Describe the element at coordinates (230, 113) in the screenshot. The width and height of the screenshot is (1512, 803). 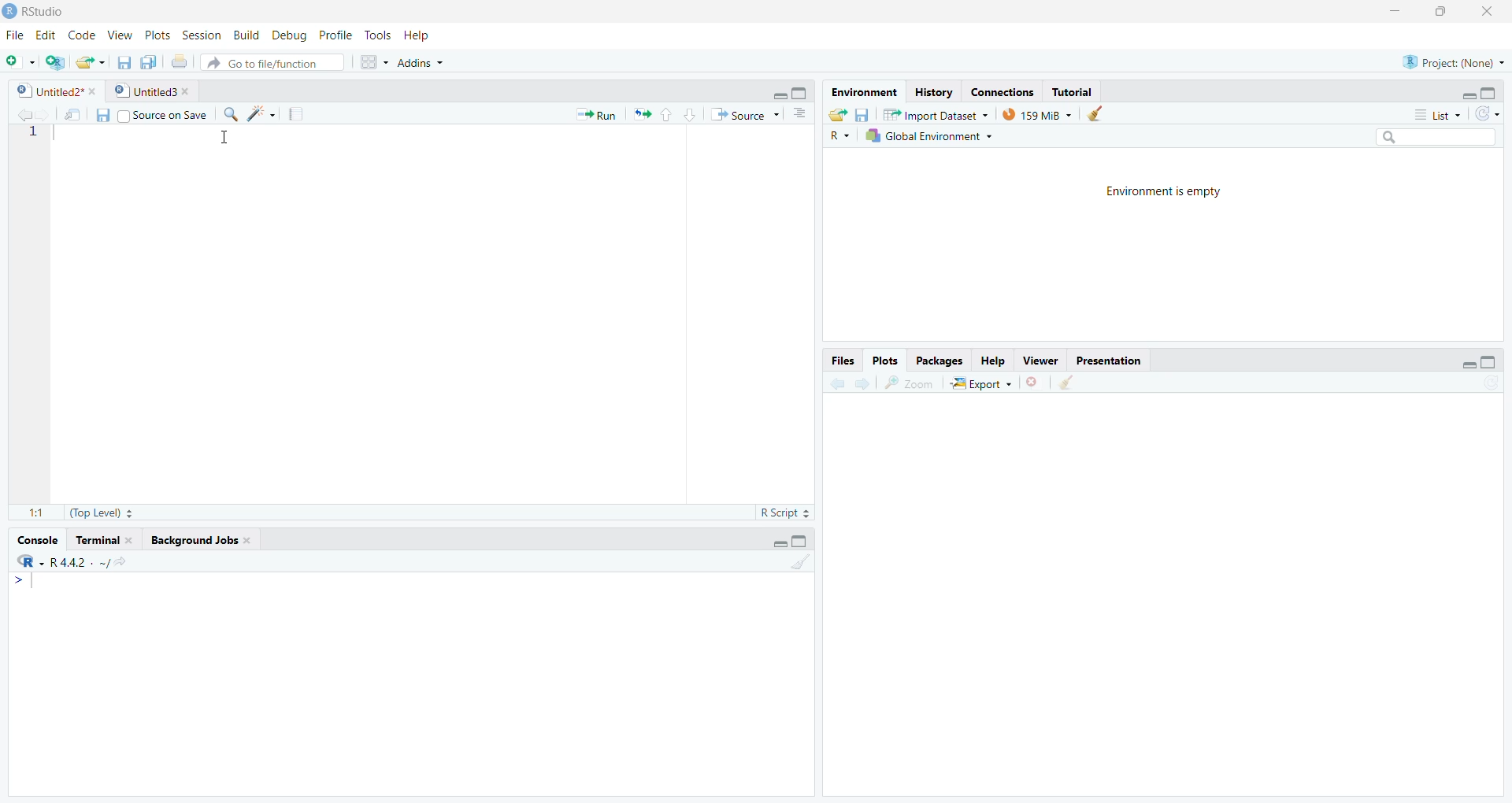
I see `Find/Replace` at that location.